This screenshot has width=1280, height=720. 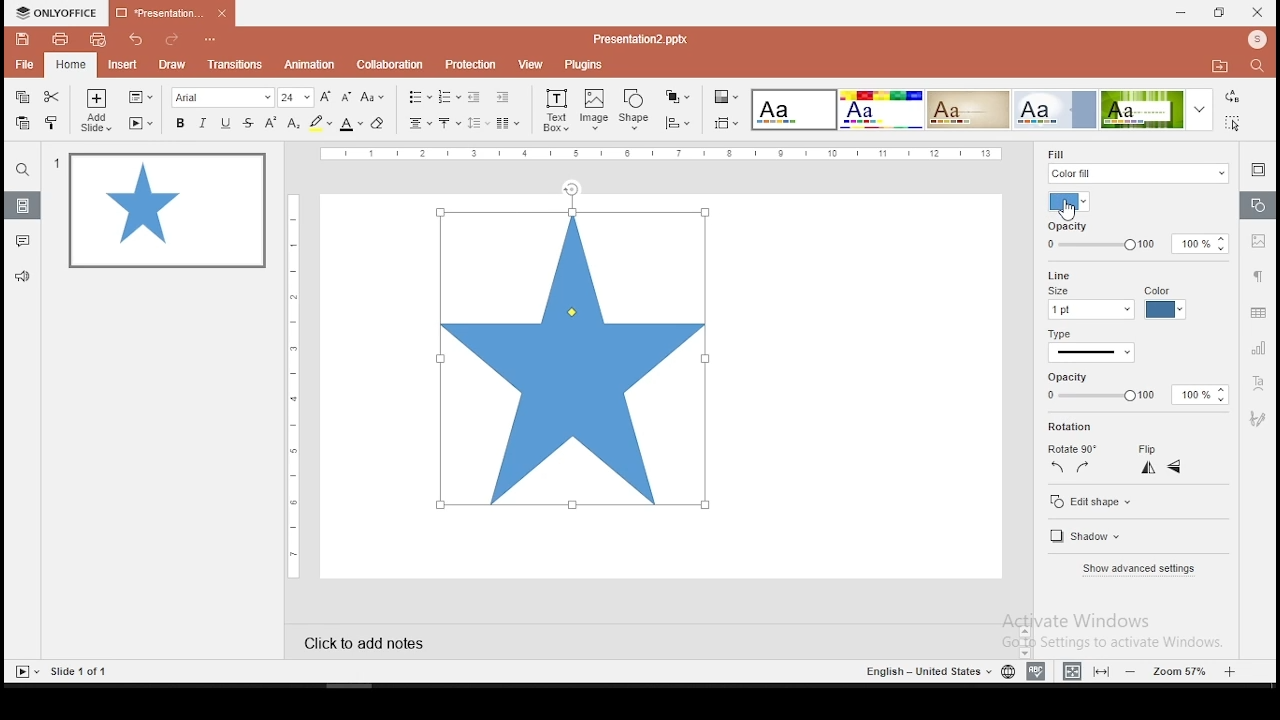 I want to click on opacity, so click(x=1134, y=237).